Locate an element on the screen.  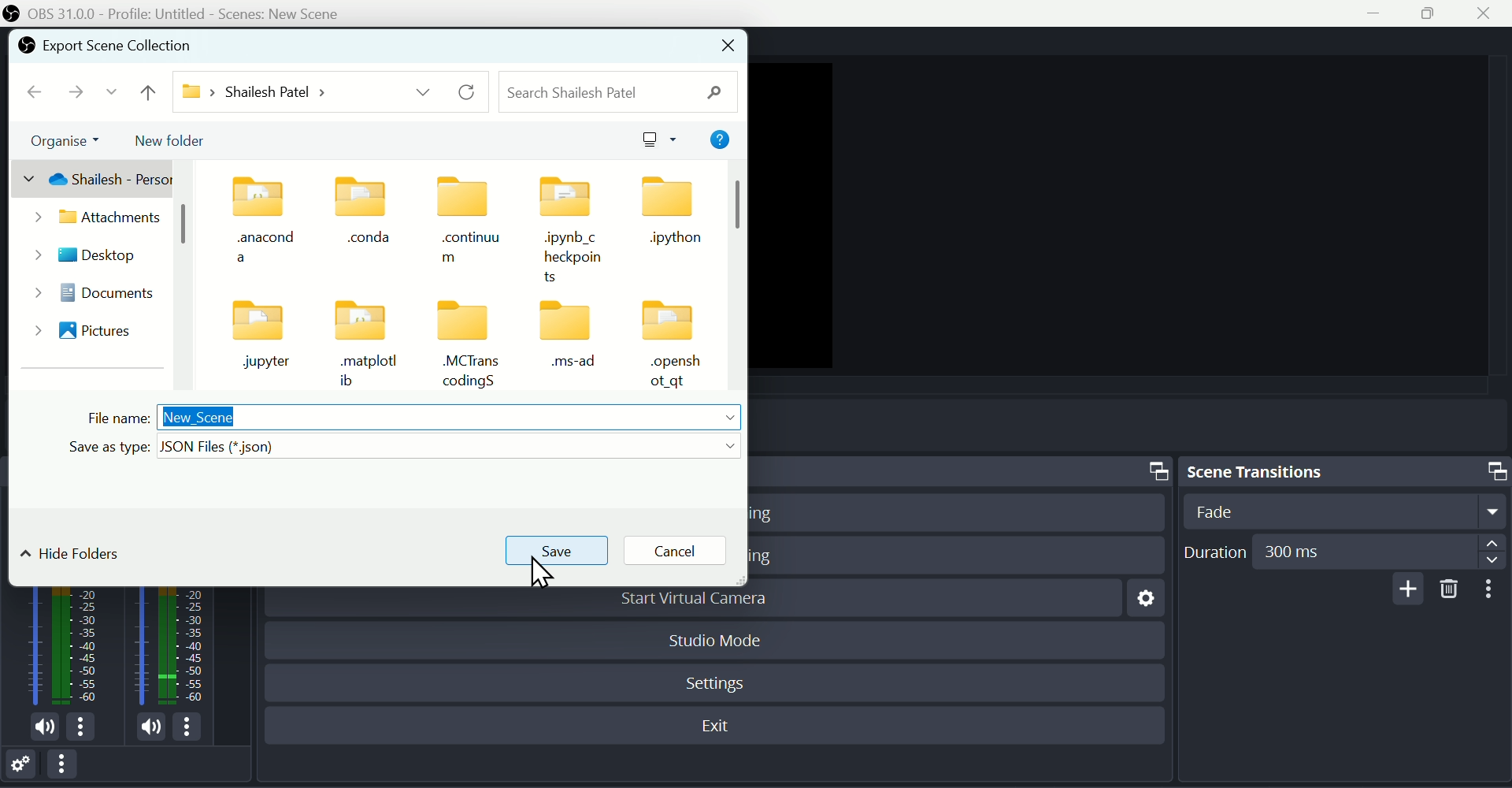
Settings is located at coordinates (25, 767).